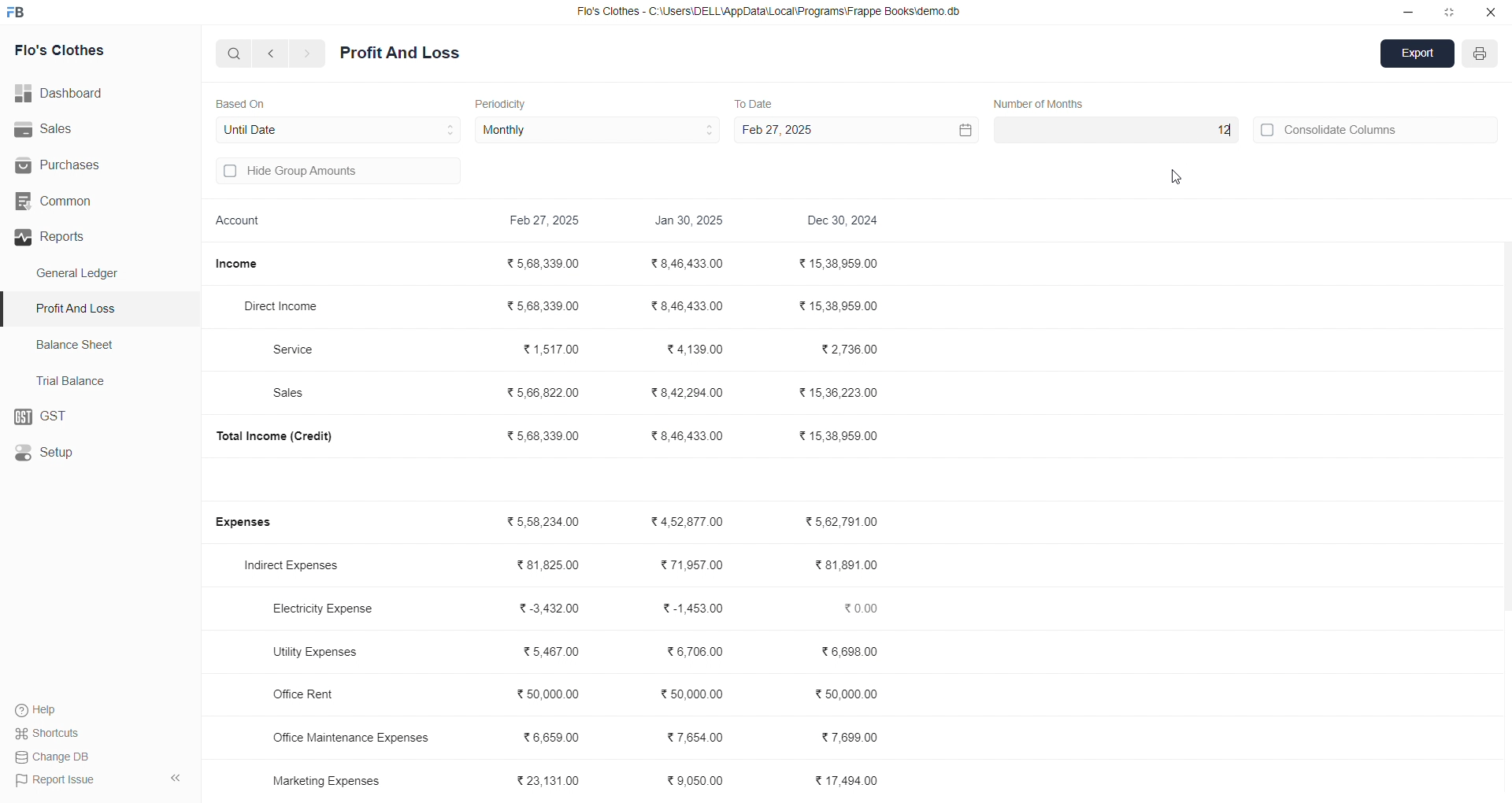 This screenshot has height=803, width=1512. What do you see at coordinates (317, 695) in the screenshot?
I see `Office Rent` at bounding box center [317, 695].